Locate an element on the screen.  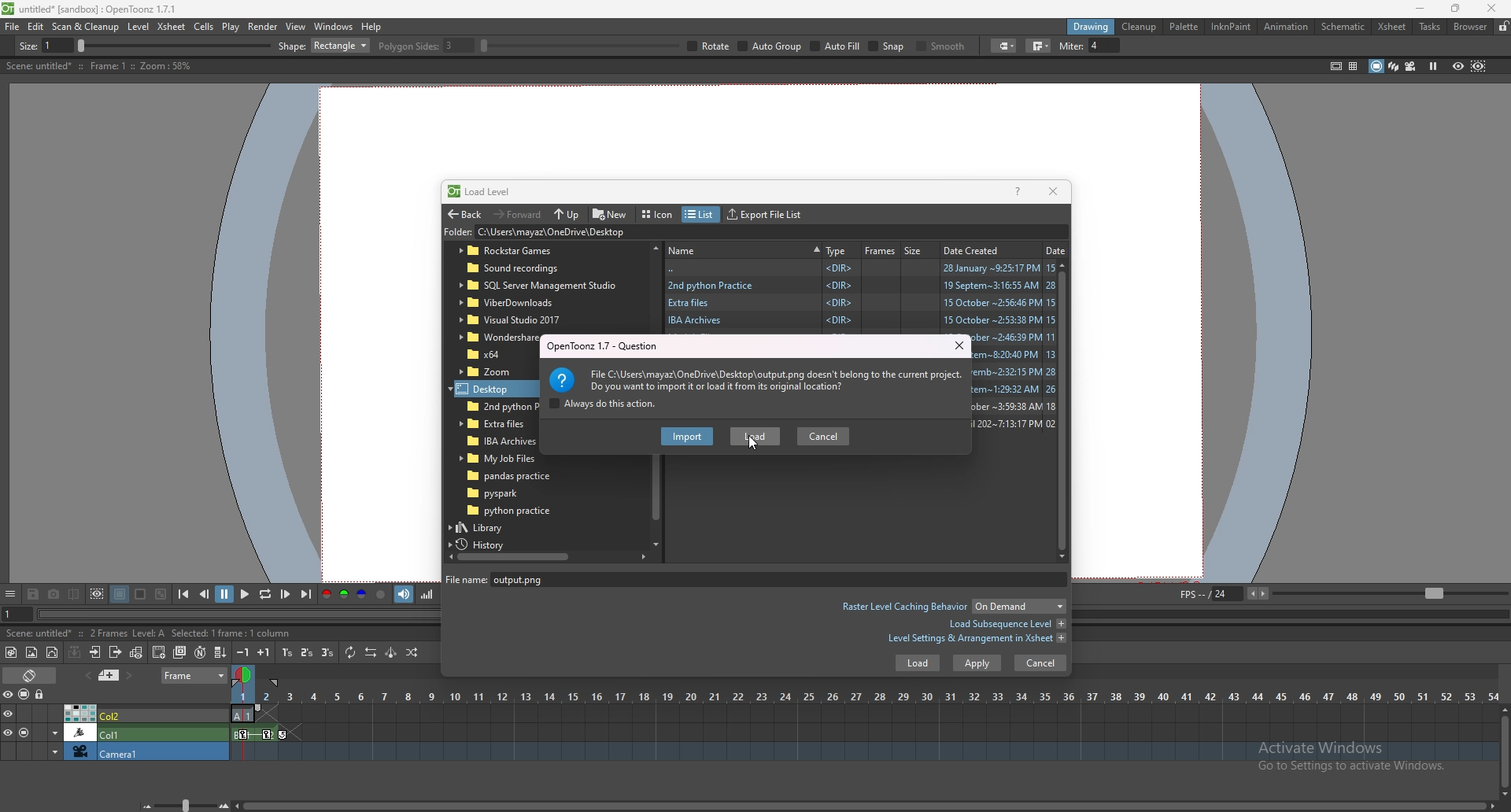
goto frame is located at coordinates (17, 615).